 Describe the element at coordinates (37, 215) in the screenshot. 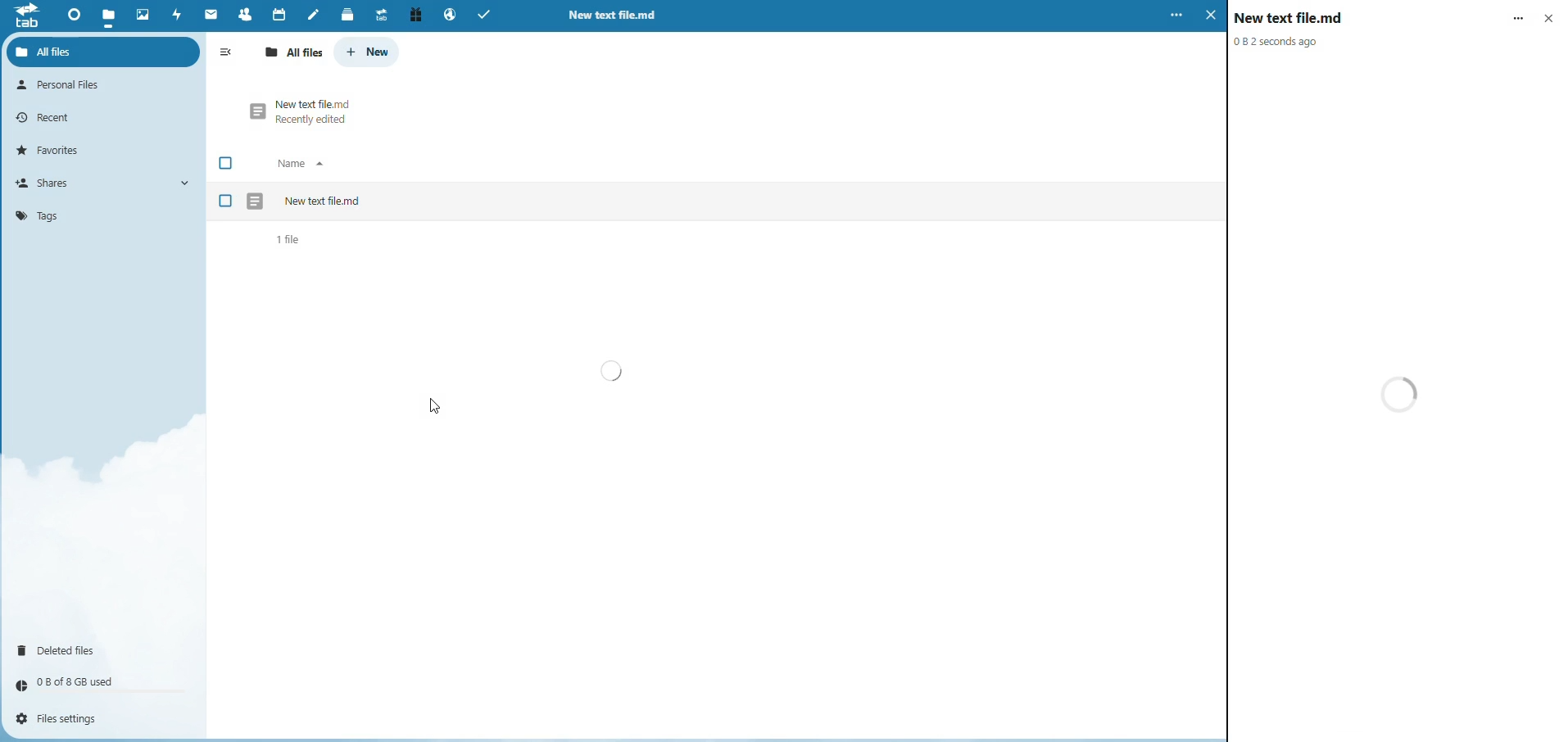

I see `Tags` at that location.